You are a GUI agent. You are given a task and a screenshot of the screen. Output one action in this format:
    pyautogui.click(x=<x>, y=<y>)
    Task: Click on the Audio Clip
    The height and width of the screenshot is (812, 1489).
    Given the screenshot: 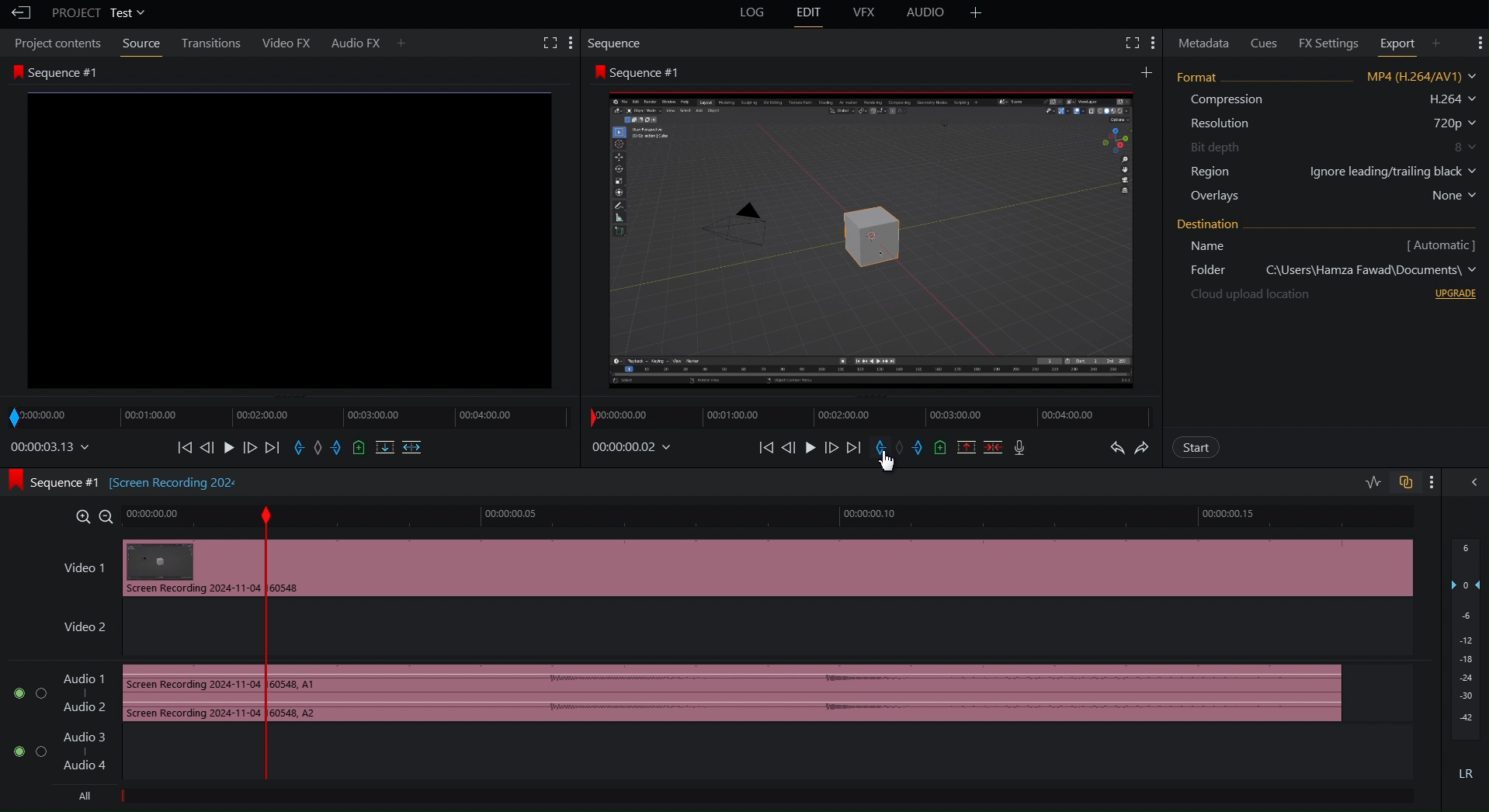 What is the action you would take?
    pyautogui.click(x=831, y=692)
    